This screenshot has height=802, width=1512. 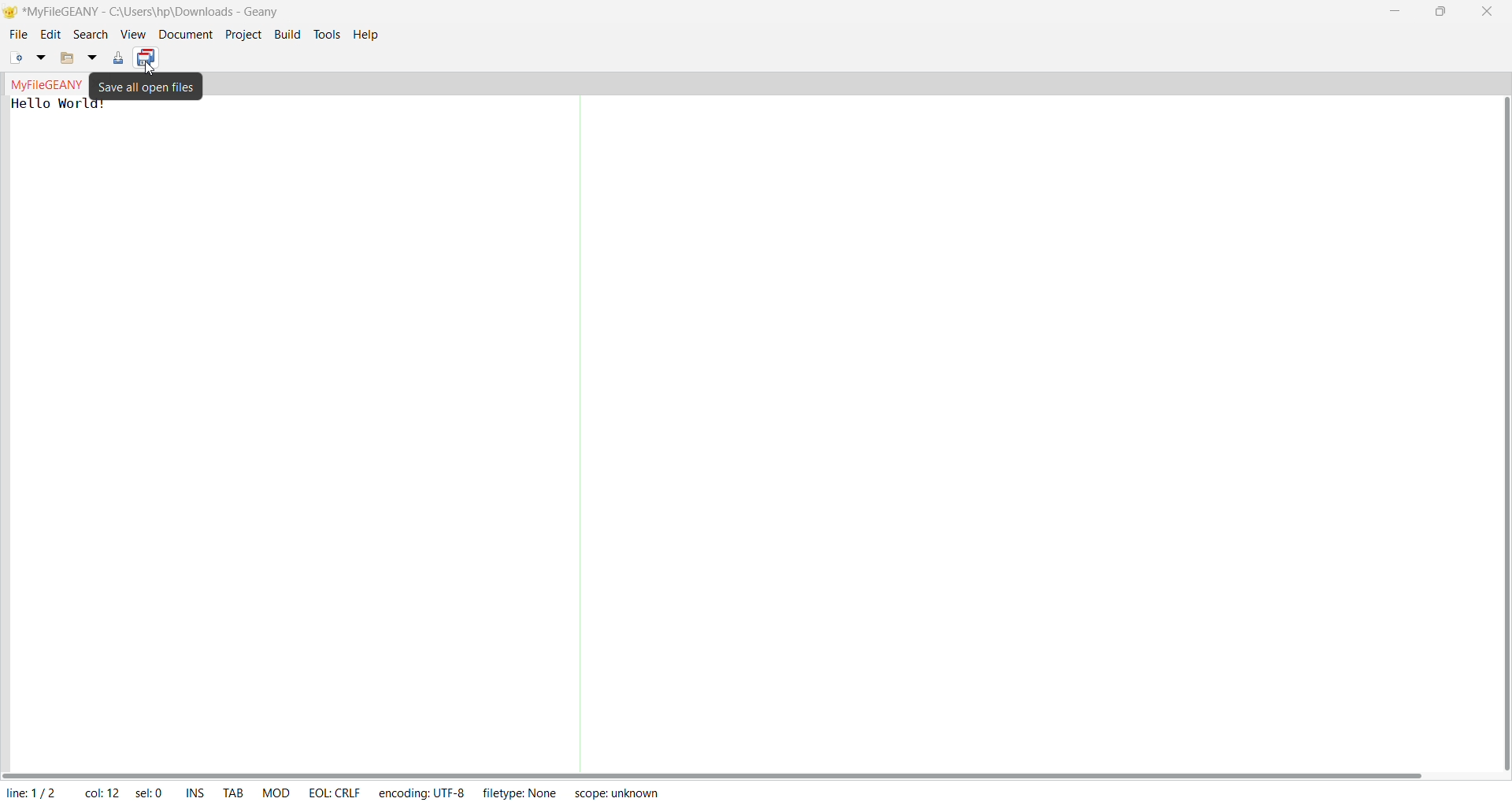 What do you see at coordinates (717, 774) in the screenshot?
I see `Horizontal Scroll bar` at bounding box center [717, 774].